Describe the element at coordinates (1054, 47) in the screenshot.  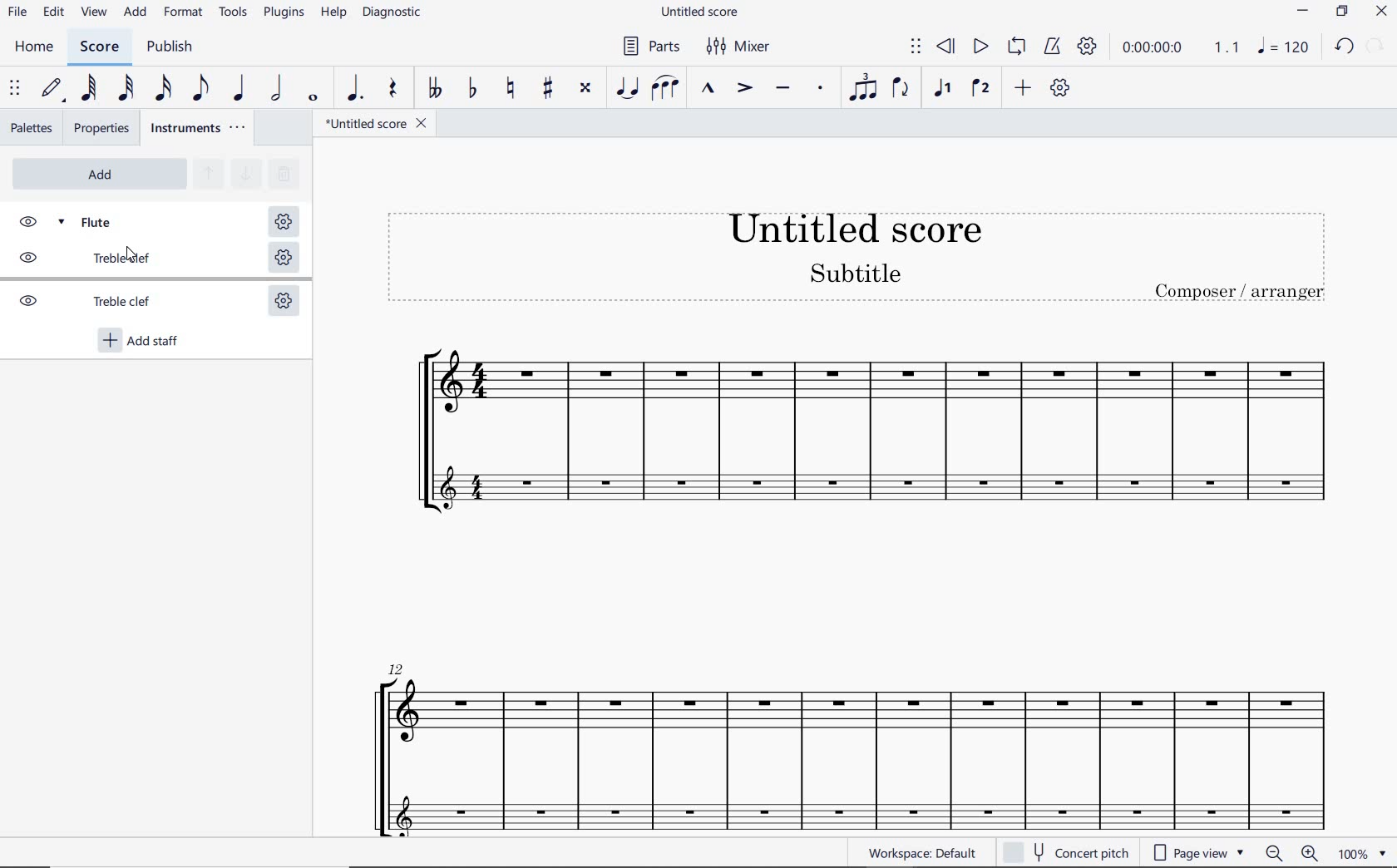
I see `METRONOME` at that location.